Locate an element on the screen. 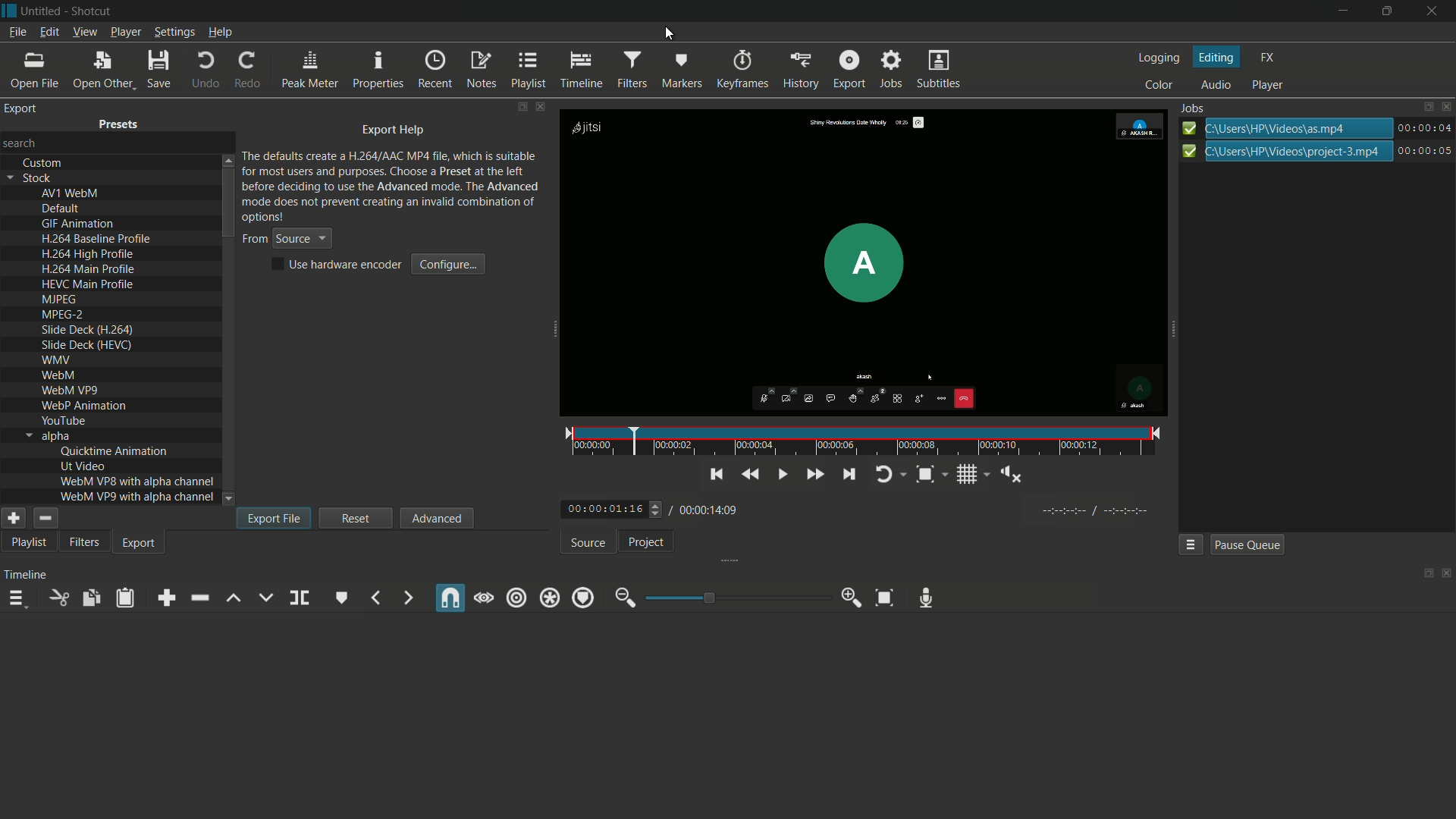 The height and width of the screenshot is (819, 1456). undo is located at coordinates (206, 71).